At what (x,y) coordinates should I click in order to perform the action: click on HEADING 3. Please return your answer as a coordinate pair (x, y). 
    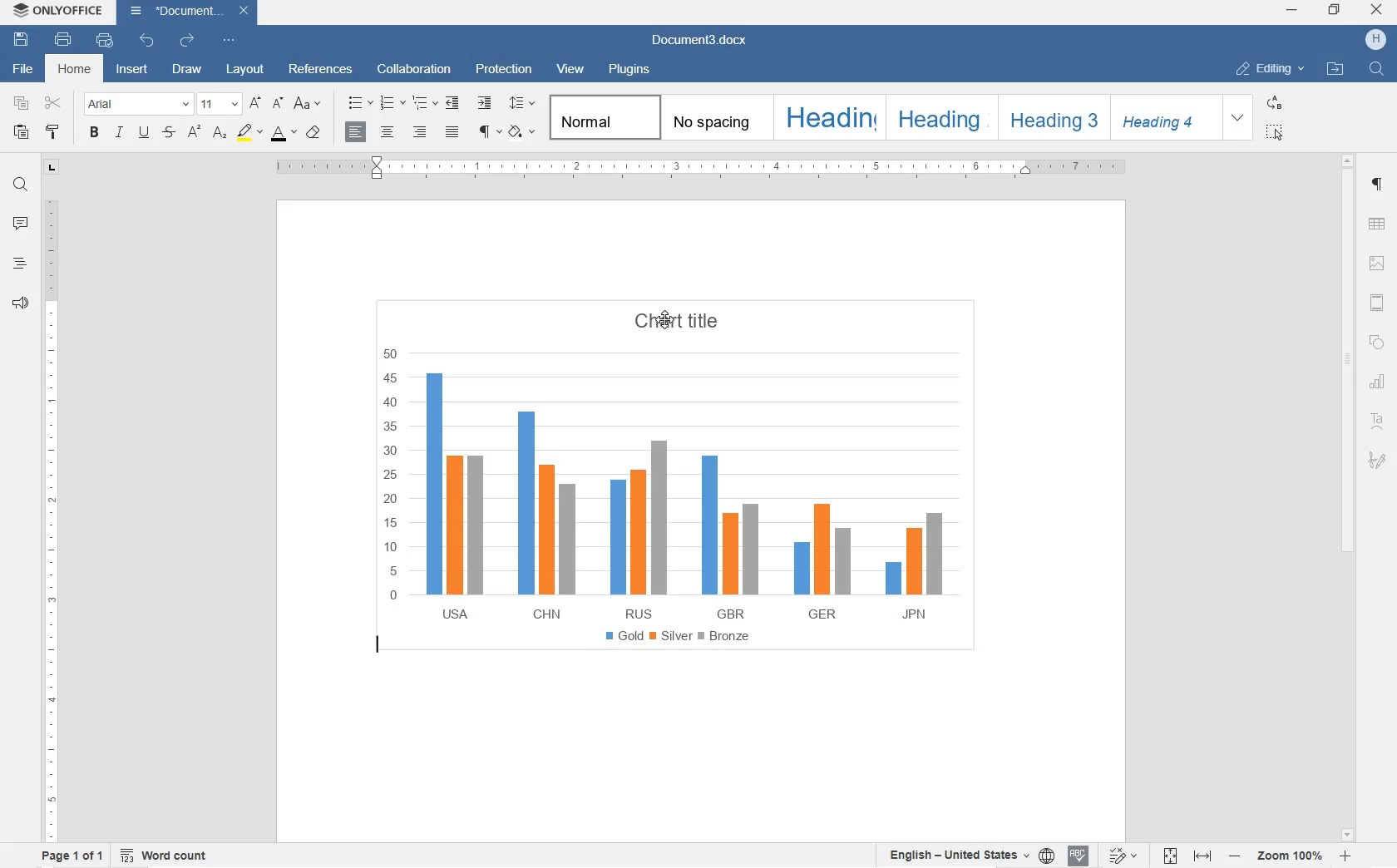
    Looking at the image, I should click on (1051, 118).